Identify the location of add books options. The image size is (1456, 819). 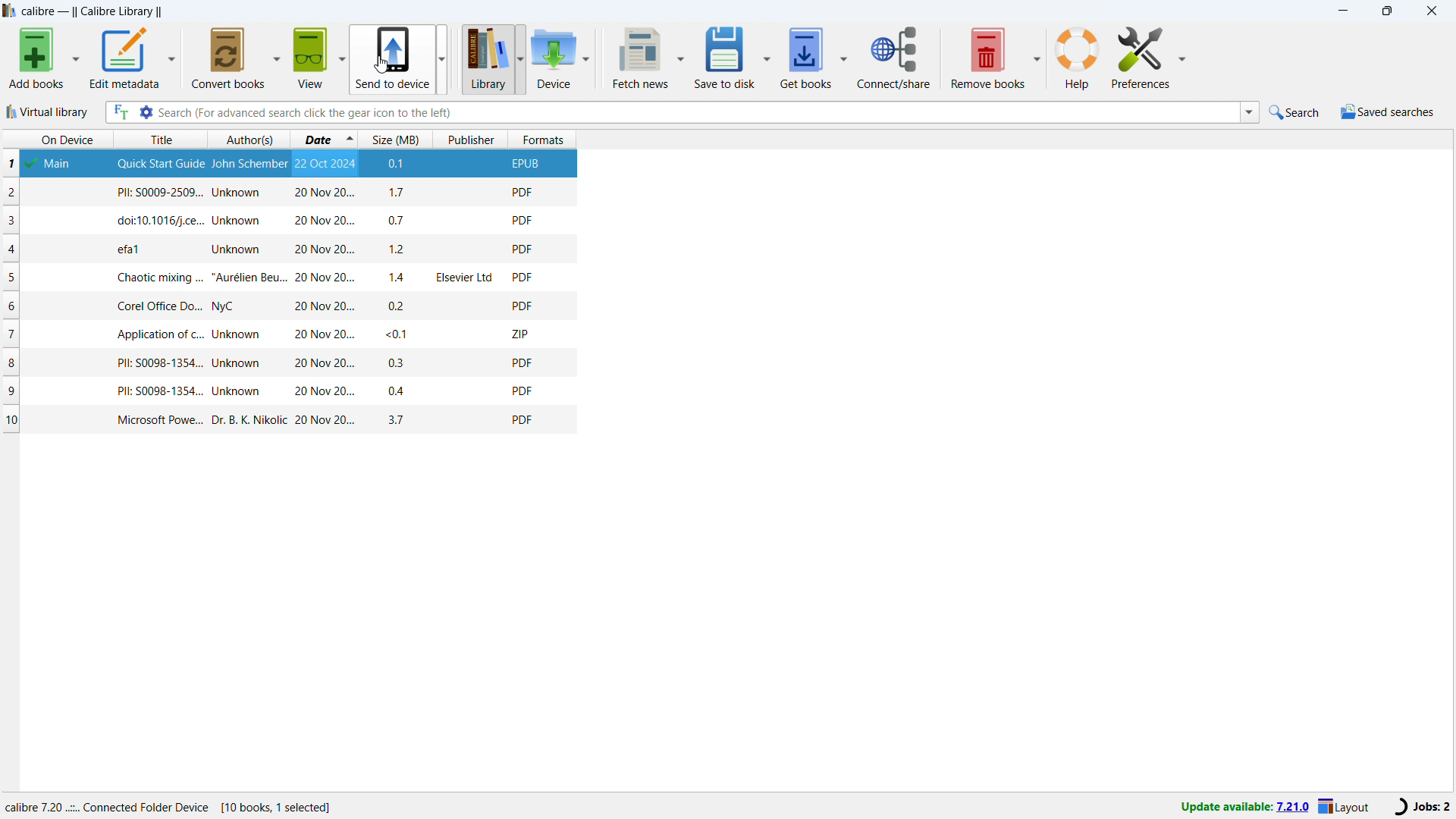
(78, 58).